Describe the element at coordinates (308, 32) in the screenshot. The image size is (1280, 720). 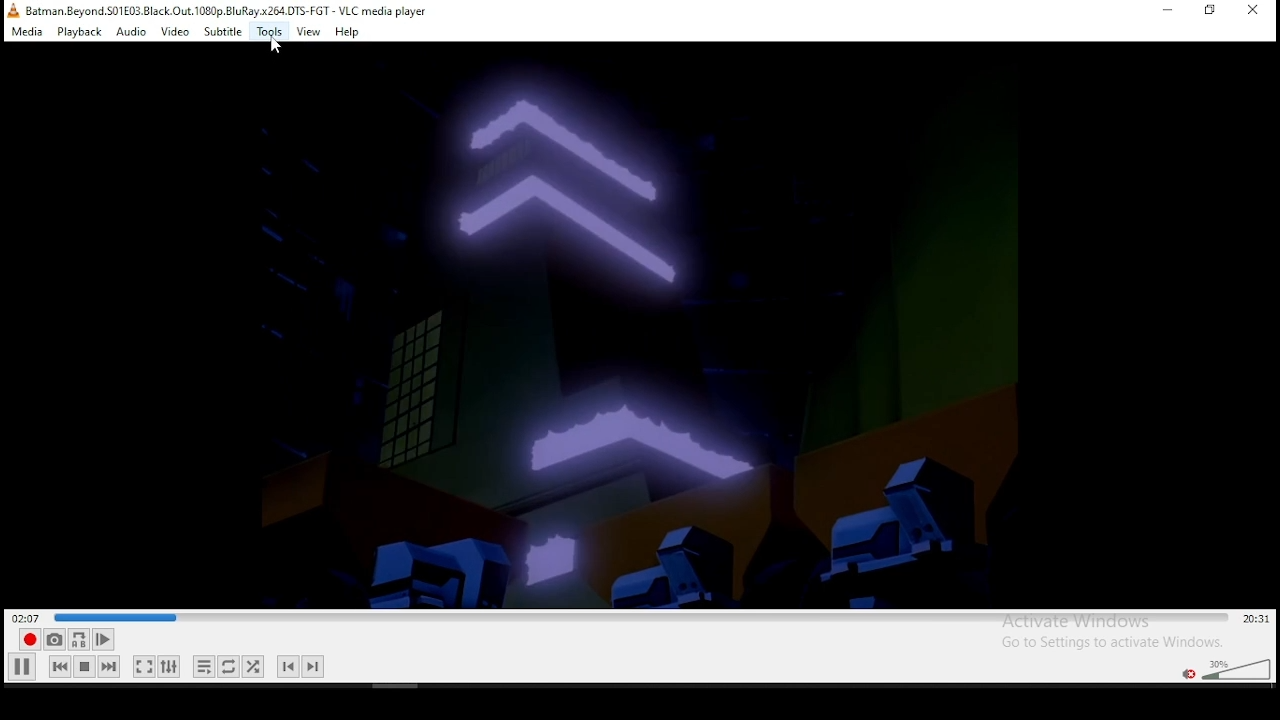
I see `view` at that location.